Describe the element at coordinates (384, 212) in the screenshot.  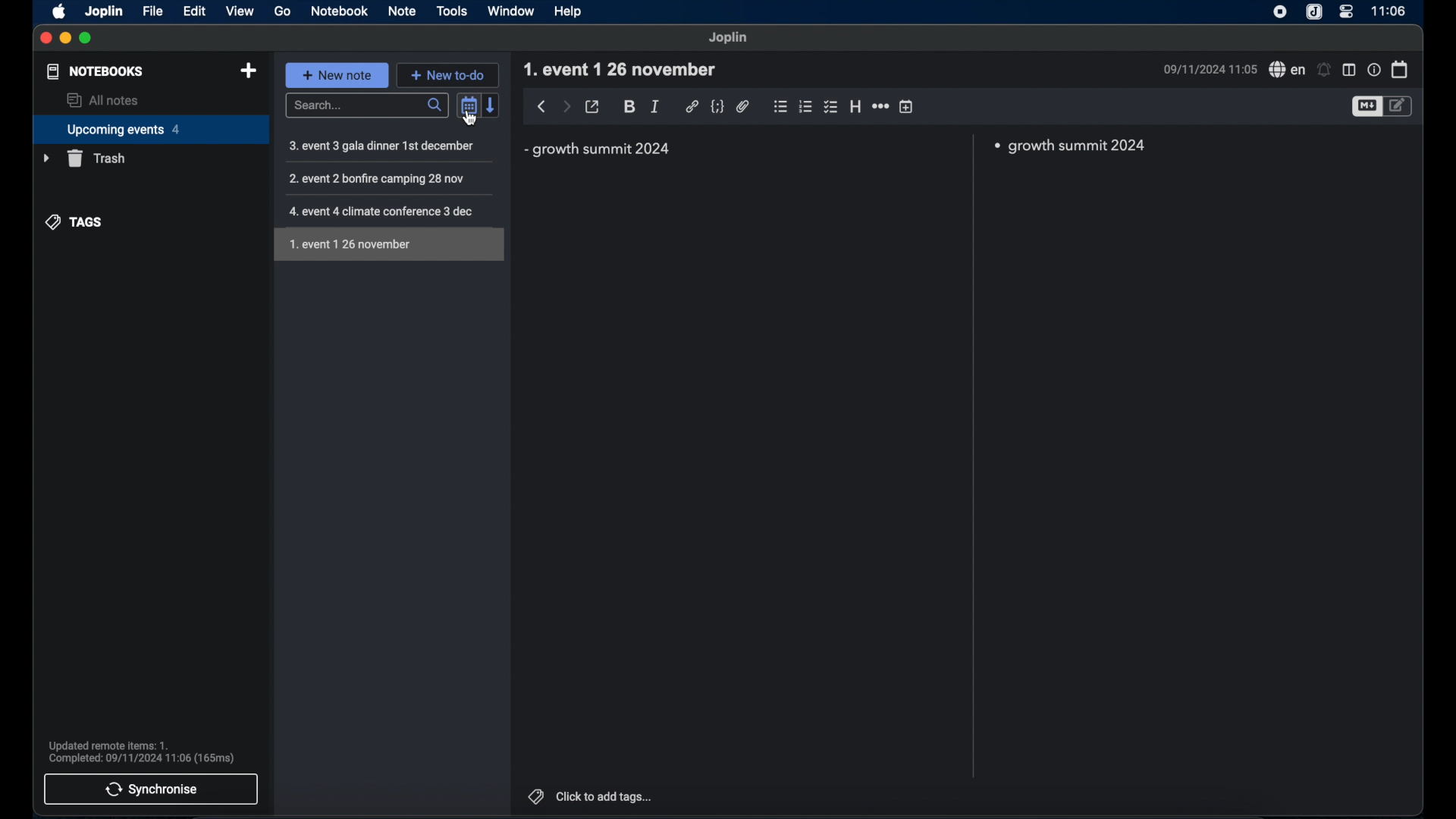
I see `4. event 4 climate conference 3 dec` at that location.